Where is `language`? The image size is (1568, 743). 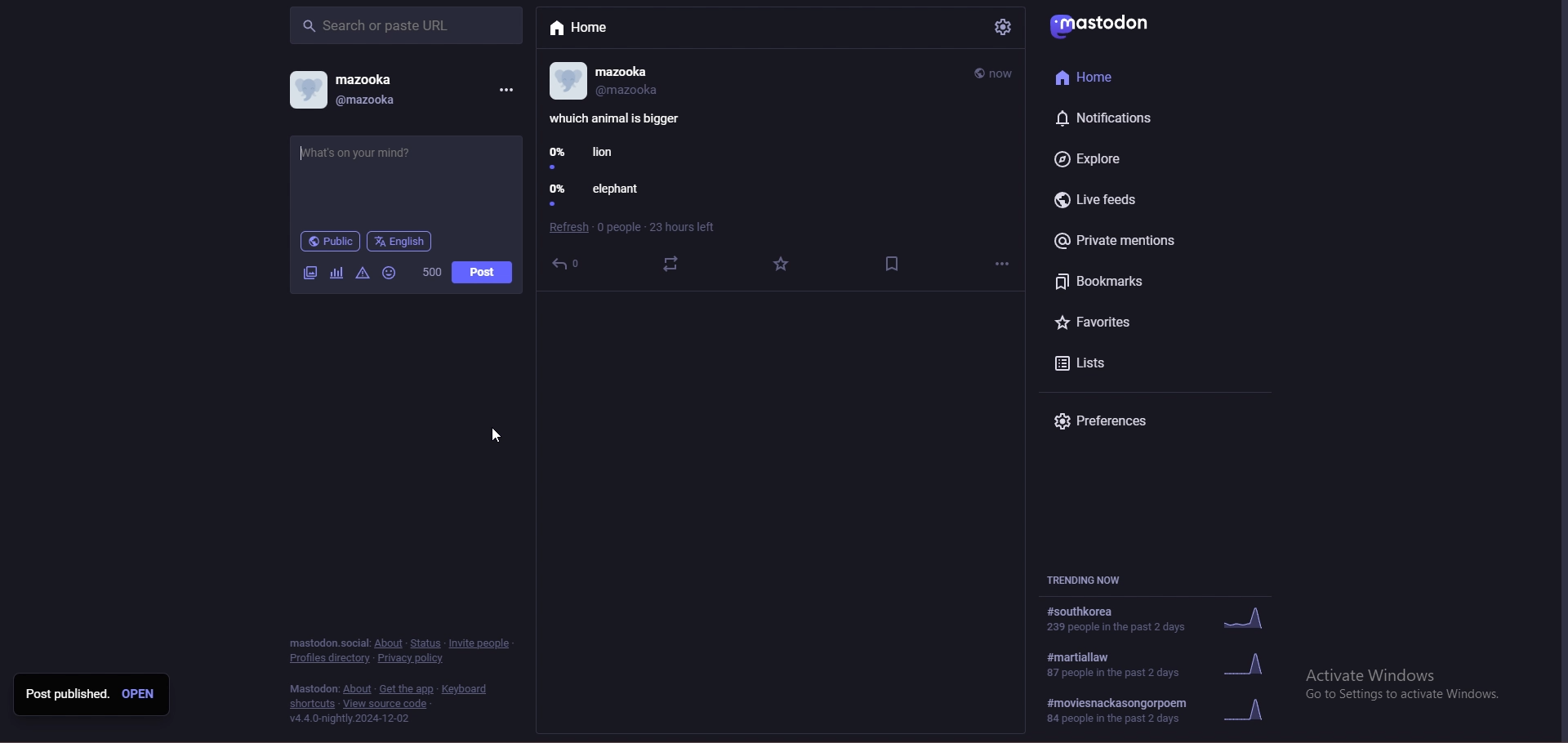
language is located at coordinates (399, 241).